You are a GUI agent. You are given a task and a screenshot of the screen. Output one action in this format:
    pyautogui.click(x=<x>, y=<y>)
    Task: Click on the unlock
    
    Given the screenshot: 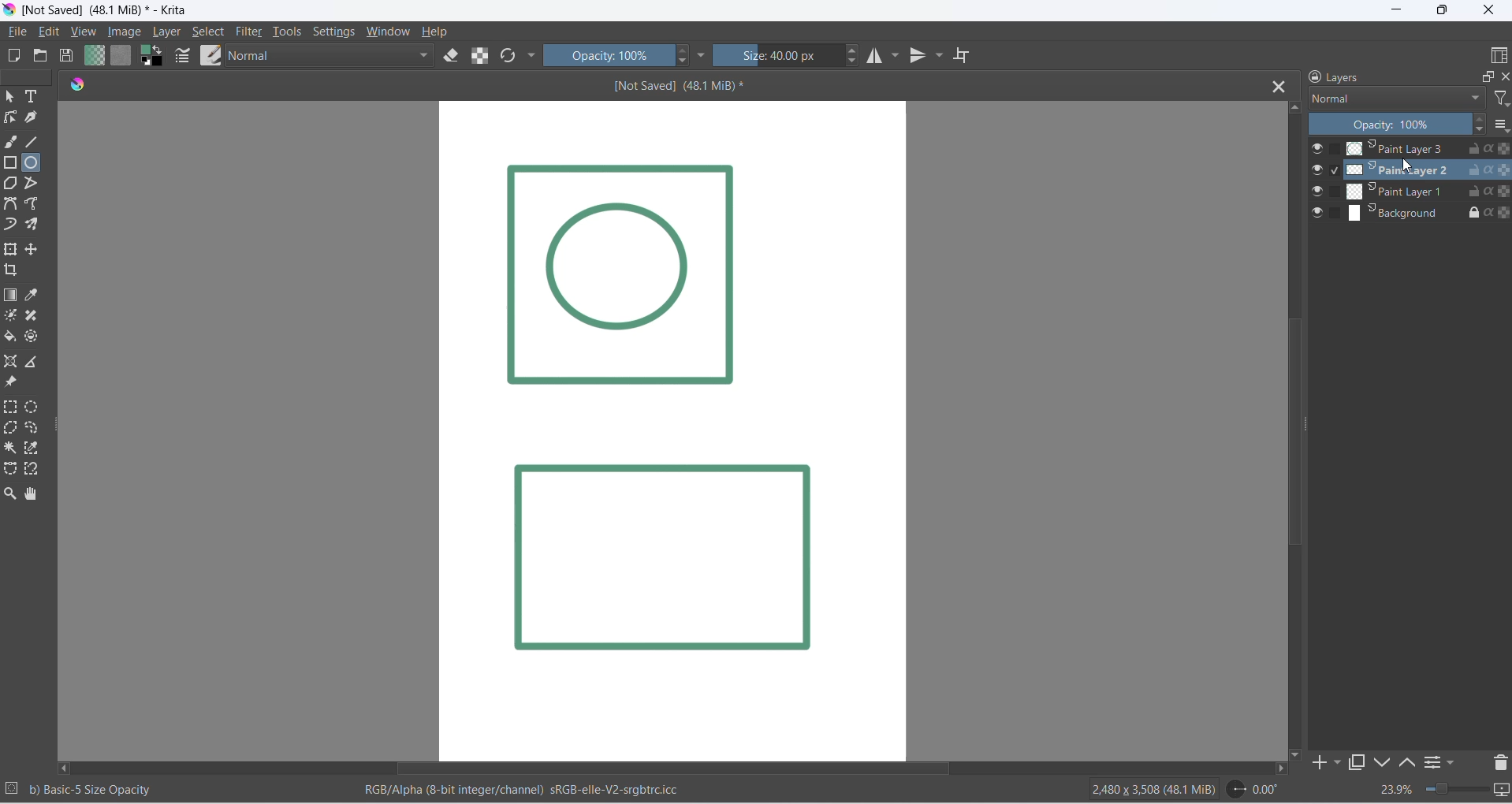 What is the action you would take?
    pyautogui.click(x=1470, y=188)
    